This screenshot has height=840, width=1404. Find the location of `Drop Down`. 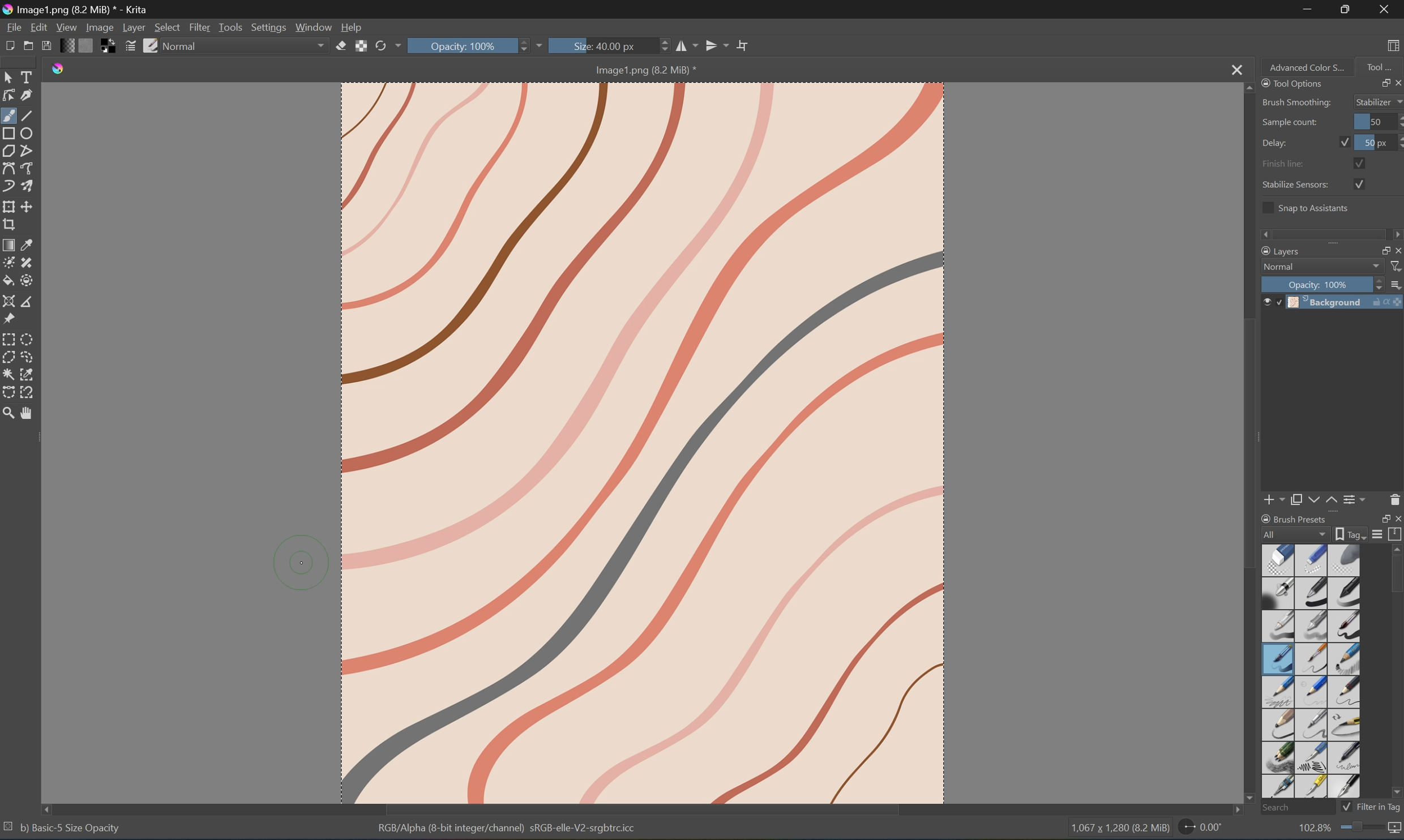

Drop Down is located at coordinates (322, 46).